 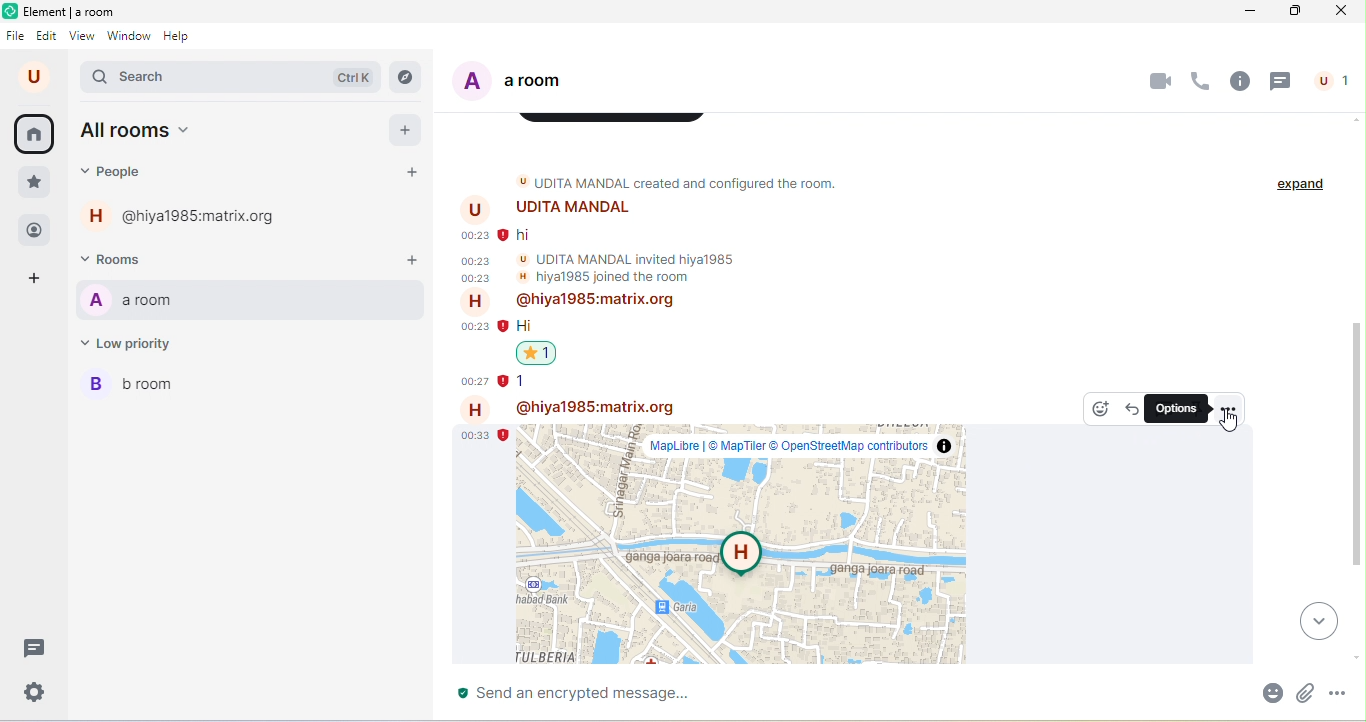 What do you see at coordinates (1340, 11) in the screenshot?
I see `close` at bounding box center [1340, 11].